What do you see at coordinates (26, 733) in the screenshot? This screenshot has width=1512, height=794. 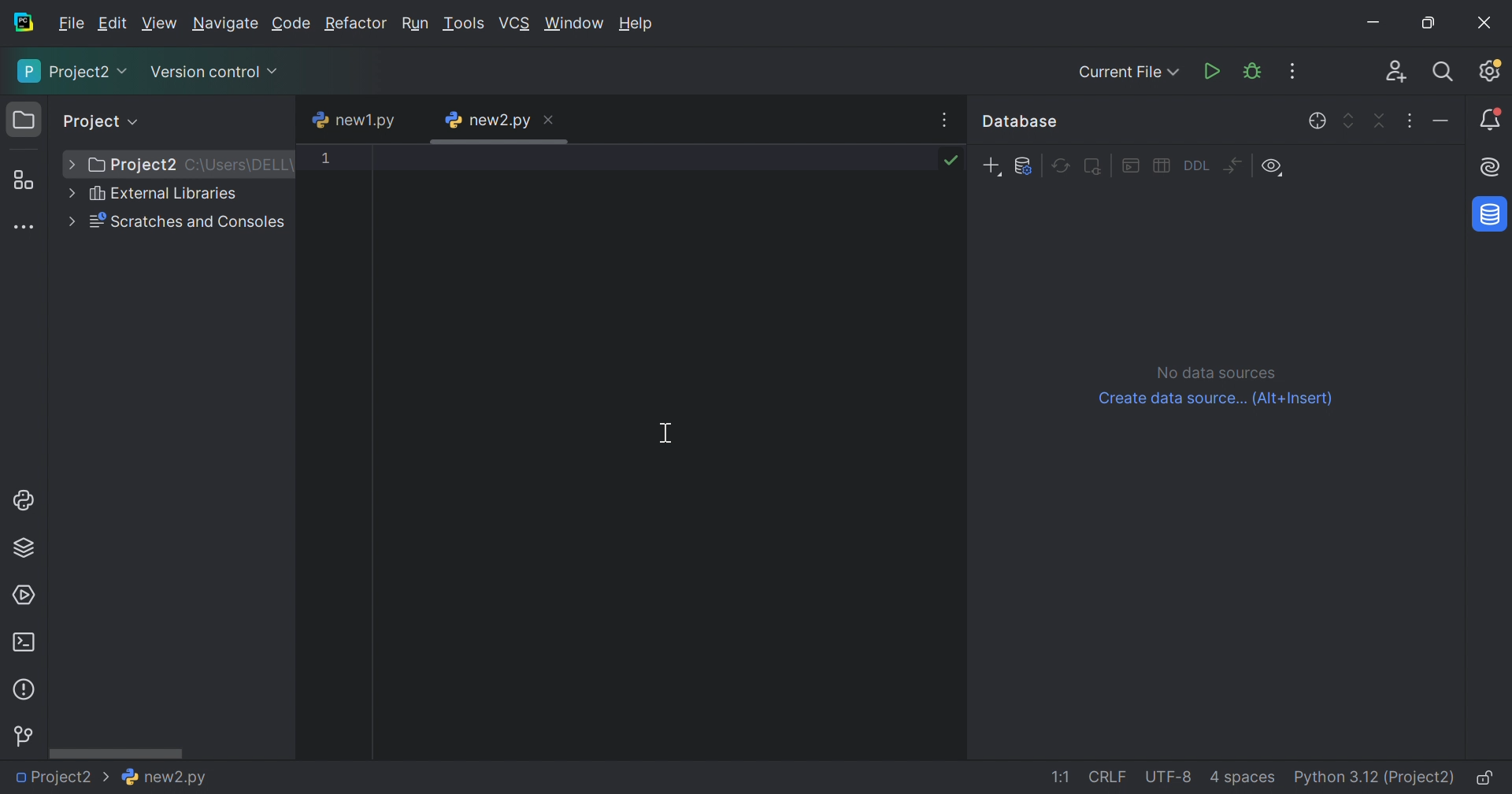 I see `Version Control` at bounding box center [26, 733].